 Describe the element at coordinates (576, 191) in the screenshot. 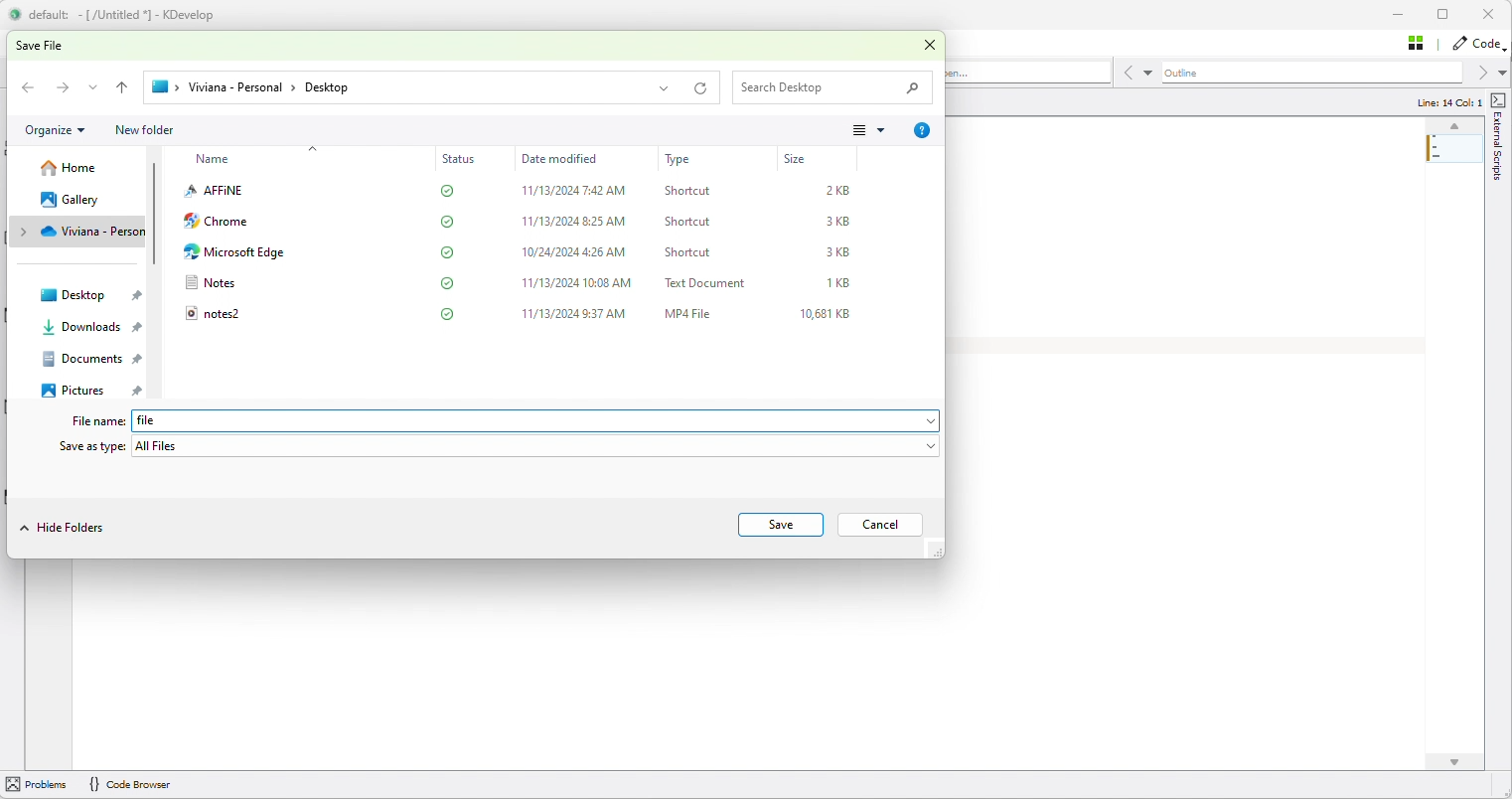

I see `11/13/2024 7:42 AM` at that location.